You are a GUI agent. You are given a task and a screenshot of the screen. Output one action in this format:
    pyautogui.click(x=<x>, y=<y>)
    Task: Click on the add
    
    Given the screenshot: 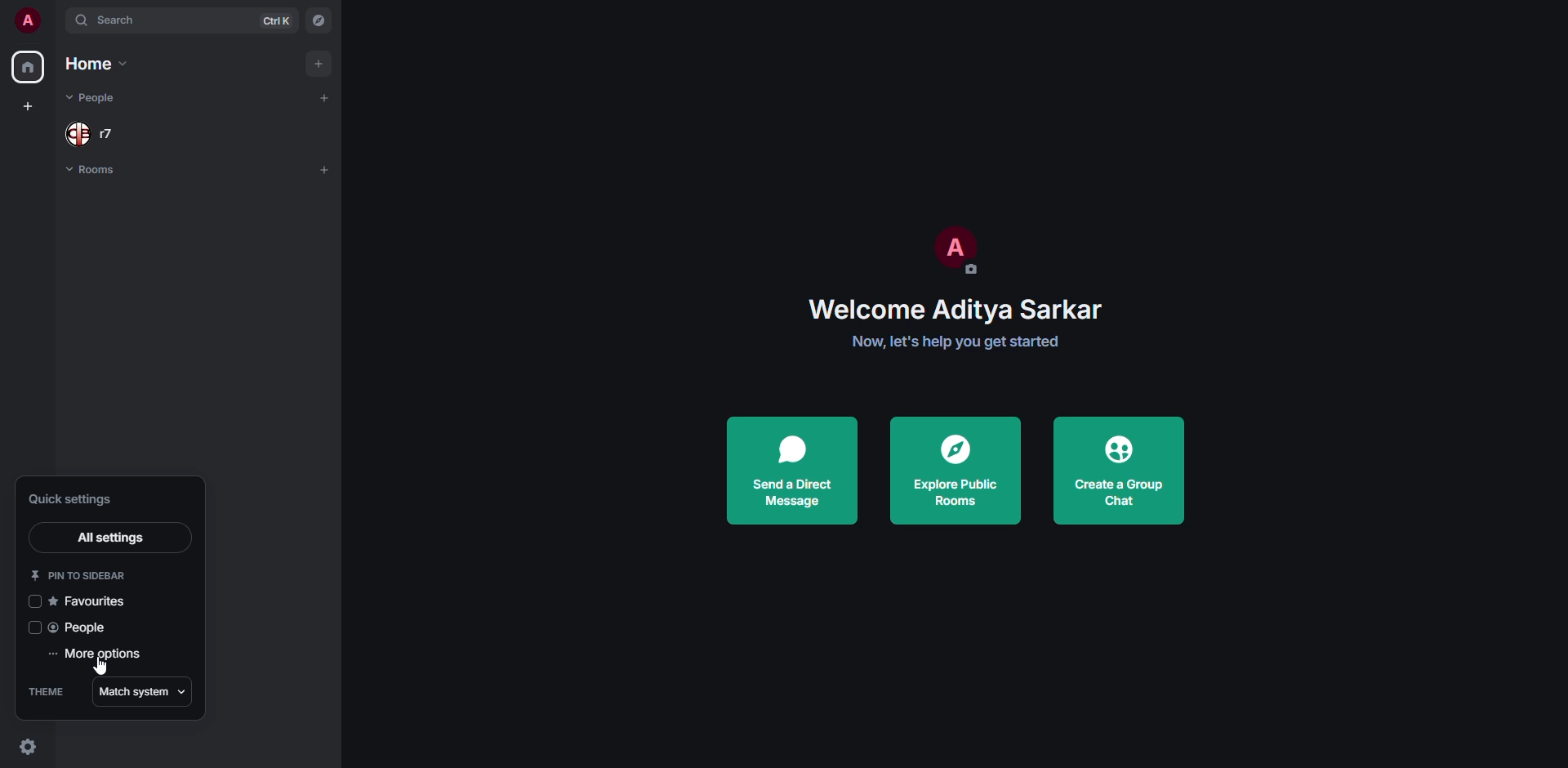 What is the action you would take?
    pyautogui.click(x=325, y=172)
    